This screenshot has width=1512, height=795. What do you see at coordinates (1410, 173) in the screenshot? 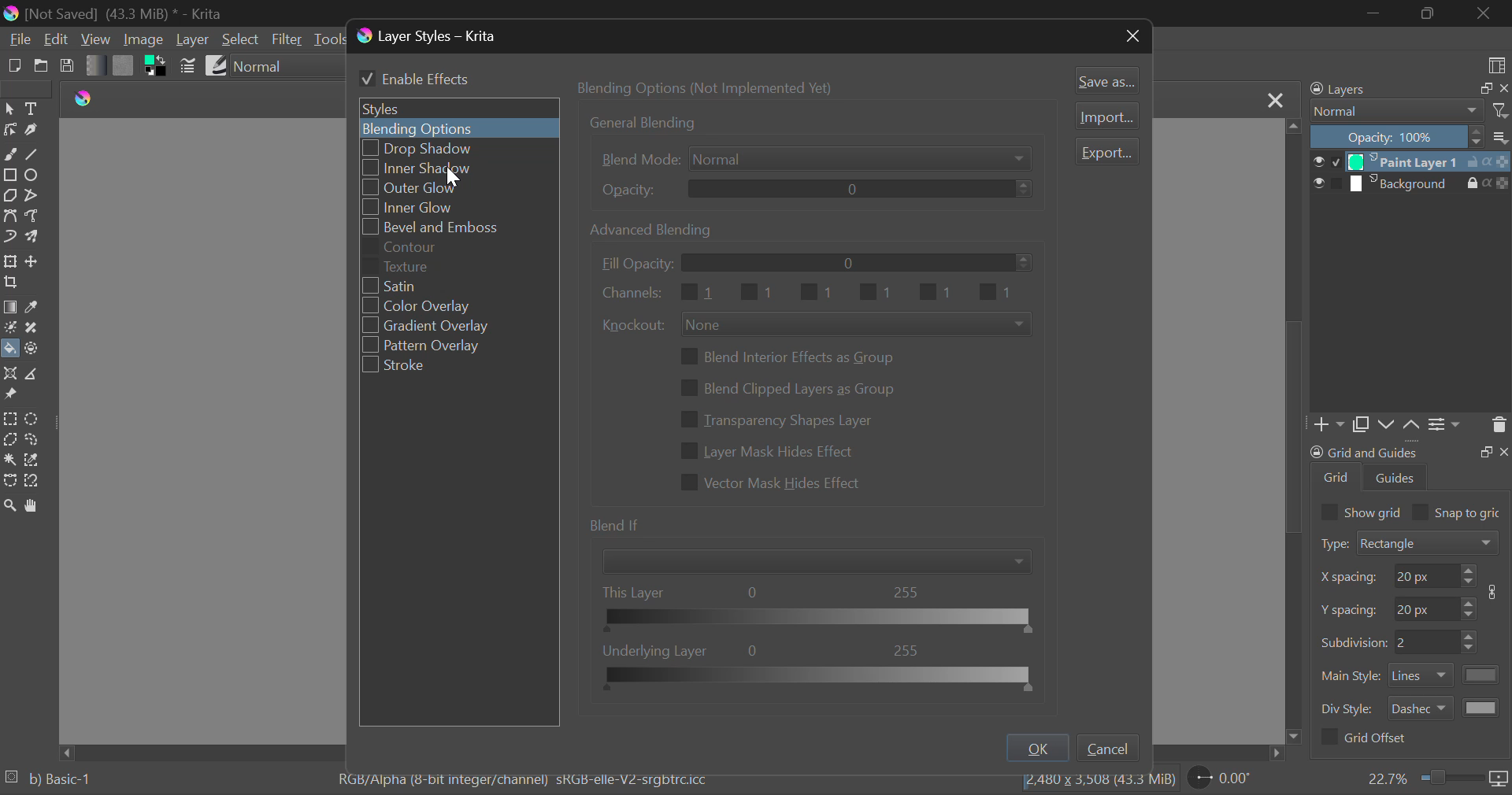
I see `Layers` at bounding box center [1410, 173].